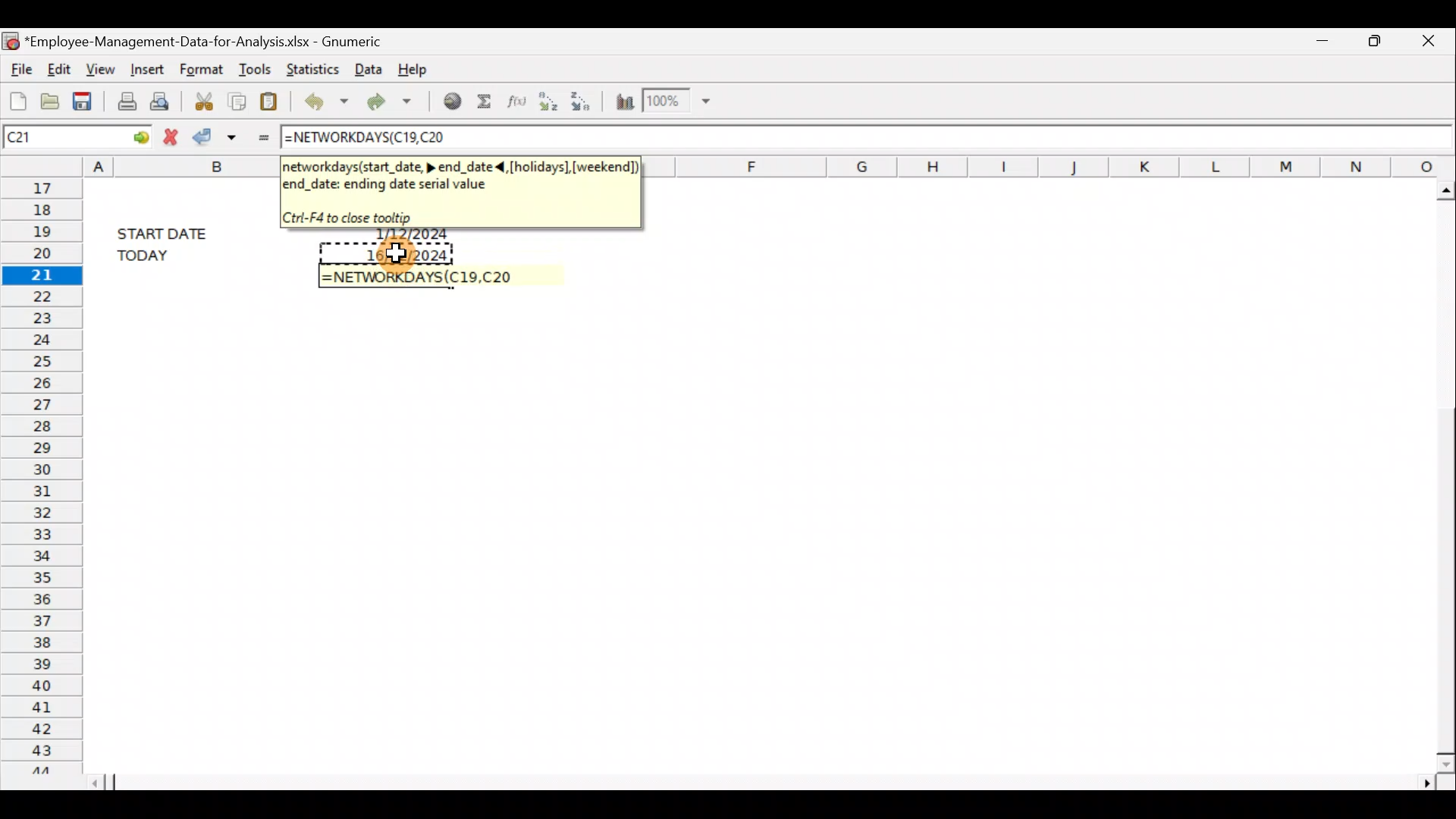 This screenshot has width=1456, height=819. Describe the element at coordinates (1439, 472) in the screenshot. I see `Scroll bar` at that location.